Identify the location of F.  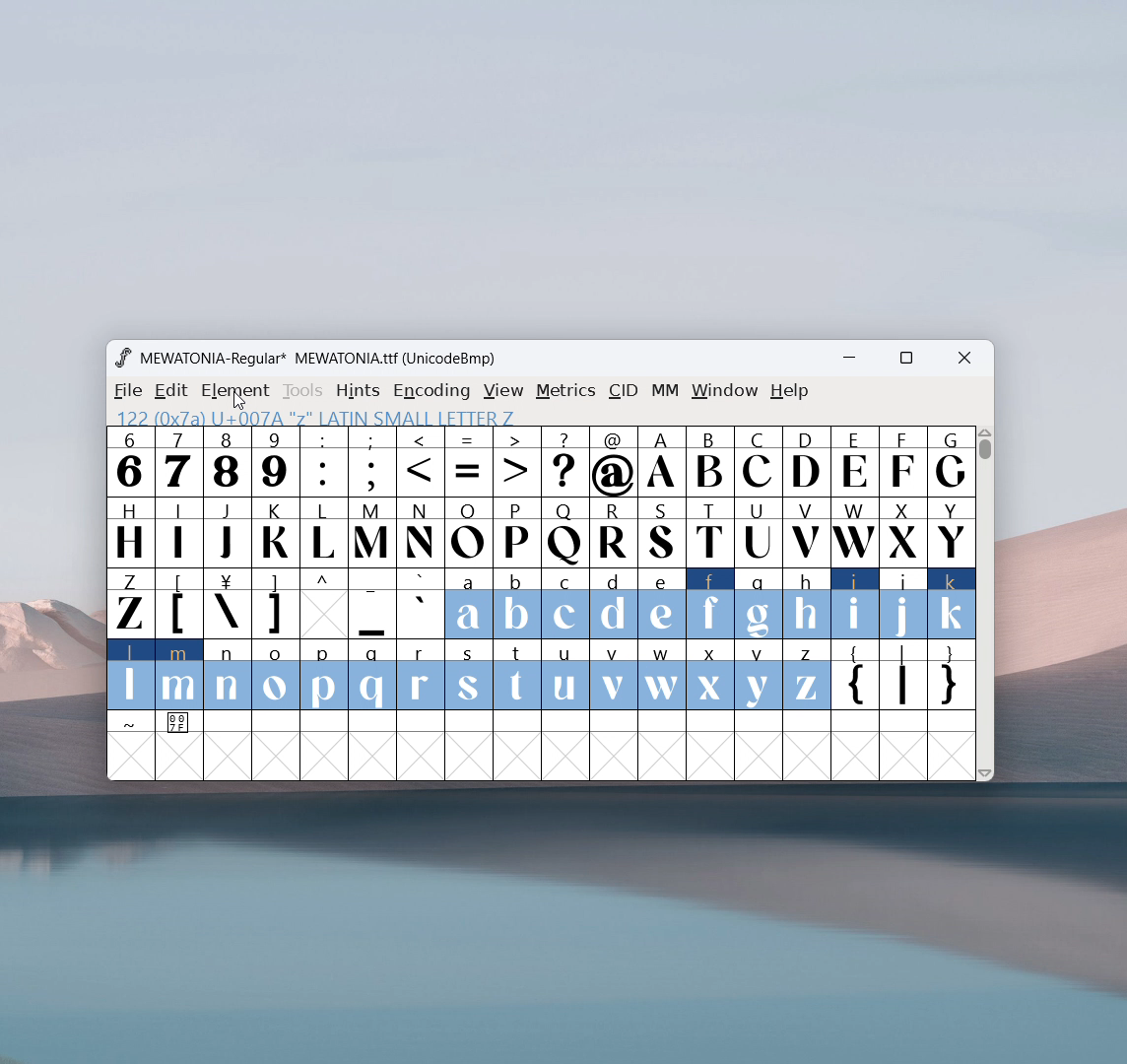
(901, 460).